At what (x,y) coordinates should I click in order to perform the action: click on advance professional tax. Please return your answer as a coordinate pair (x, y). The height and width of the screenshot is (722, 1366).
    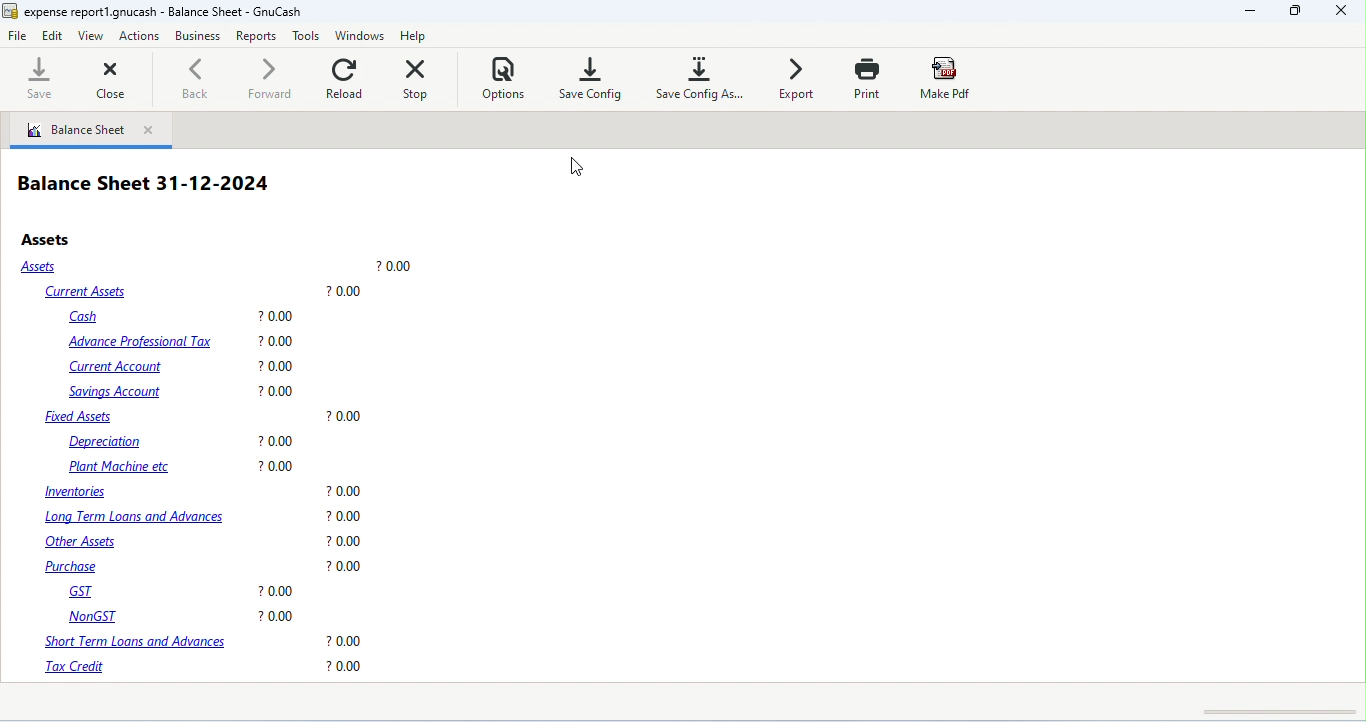
    Looking at the image, I should click on (181, 340).